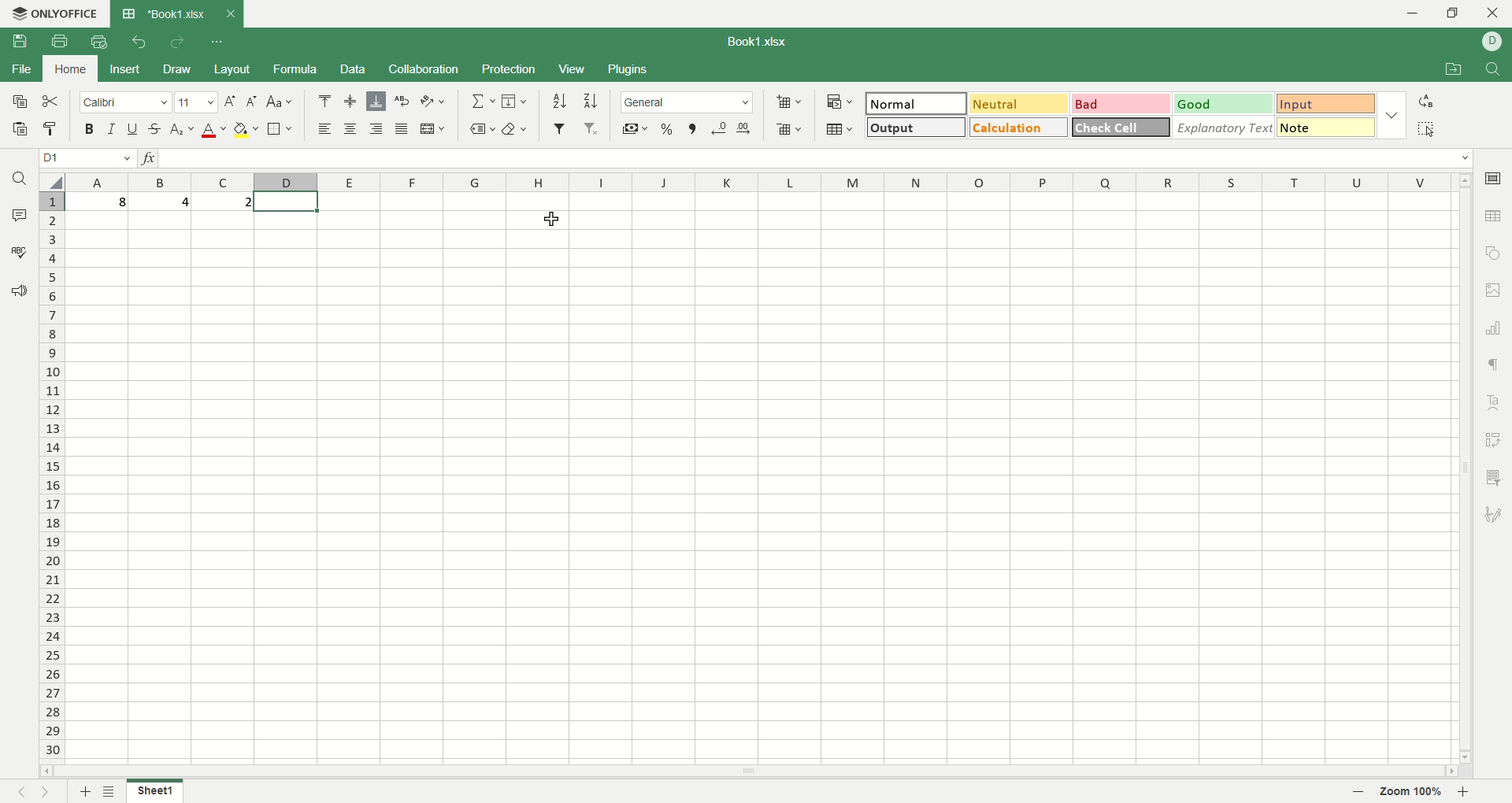 Image resolution: width=1512 pixels, height=803 pixels. What do you see at coordinates (1120, 102) in the screenshot?
I see `bad` at bounding box center [1120, 102].